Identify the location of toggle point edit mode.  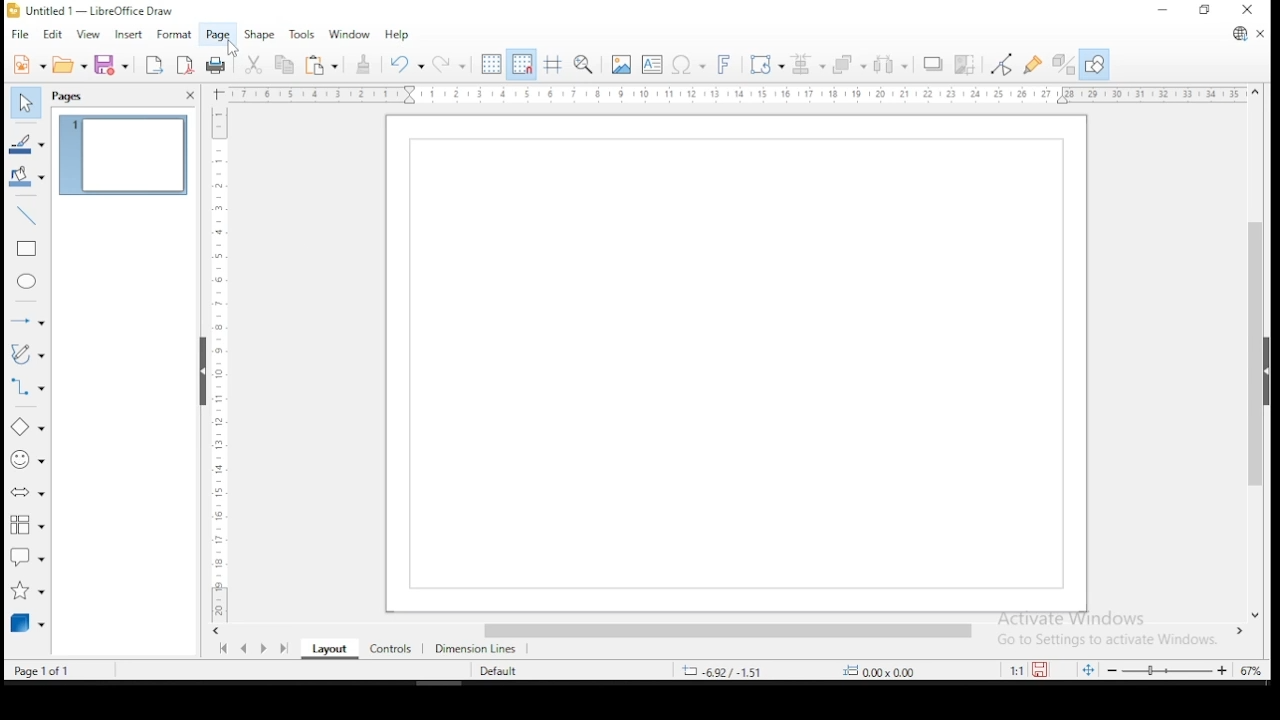
(1004, 64).